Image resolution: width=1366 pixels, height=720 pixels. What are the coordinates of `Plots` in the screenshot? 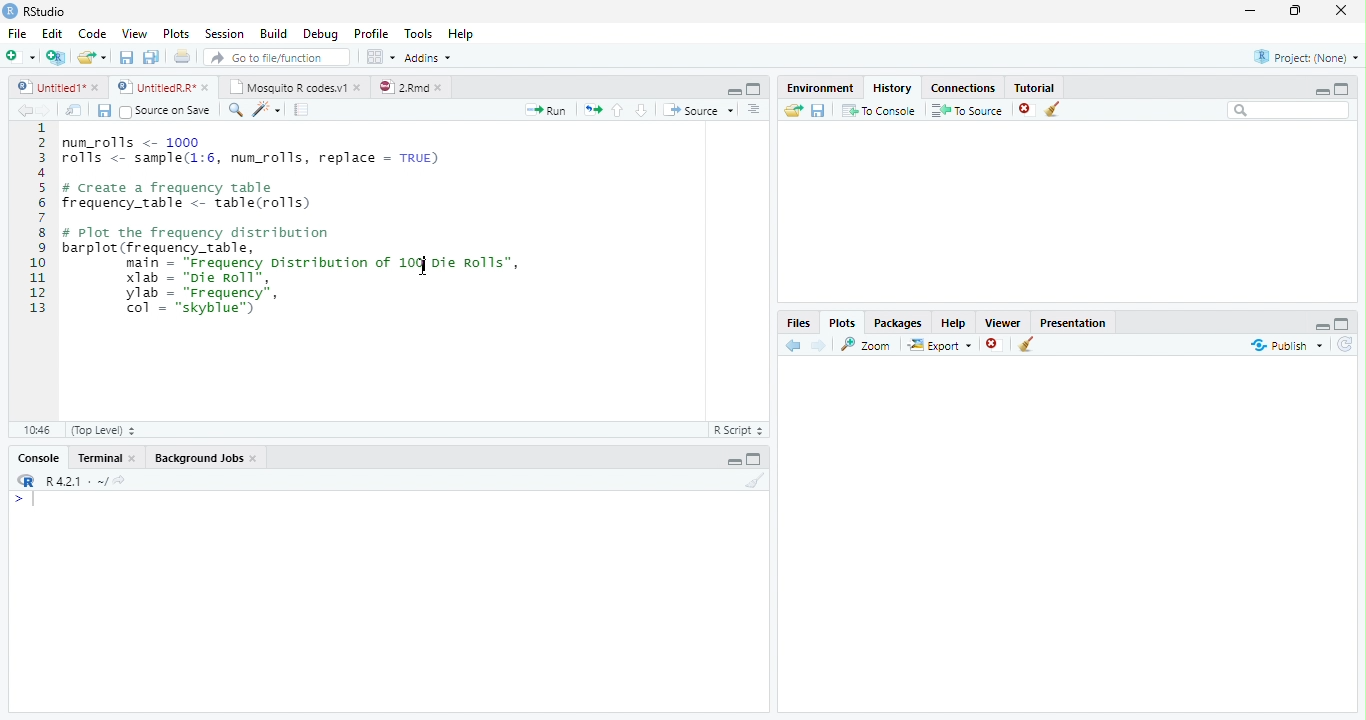 It's located at (177, 32).